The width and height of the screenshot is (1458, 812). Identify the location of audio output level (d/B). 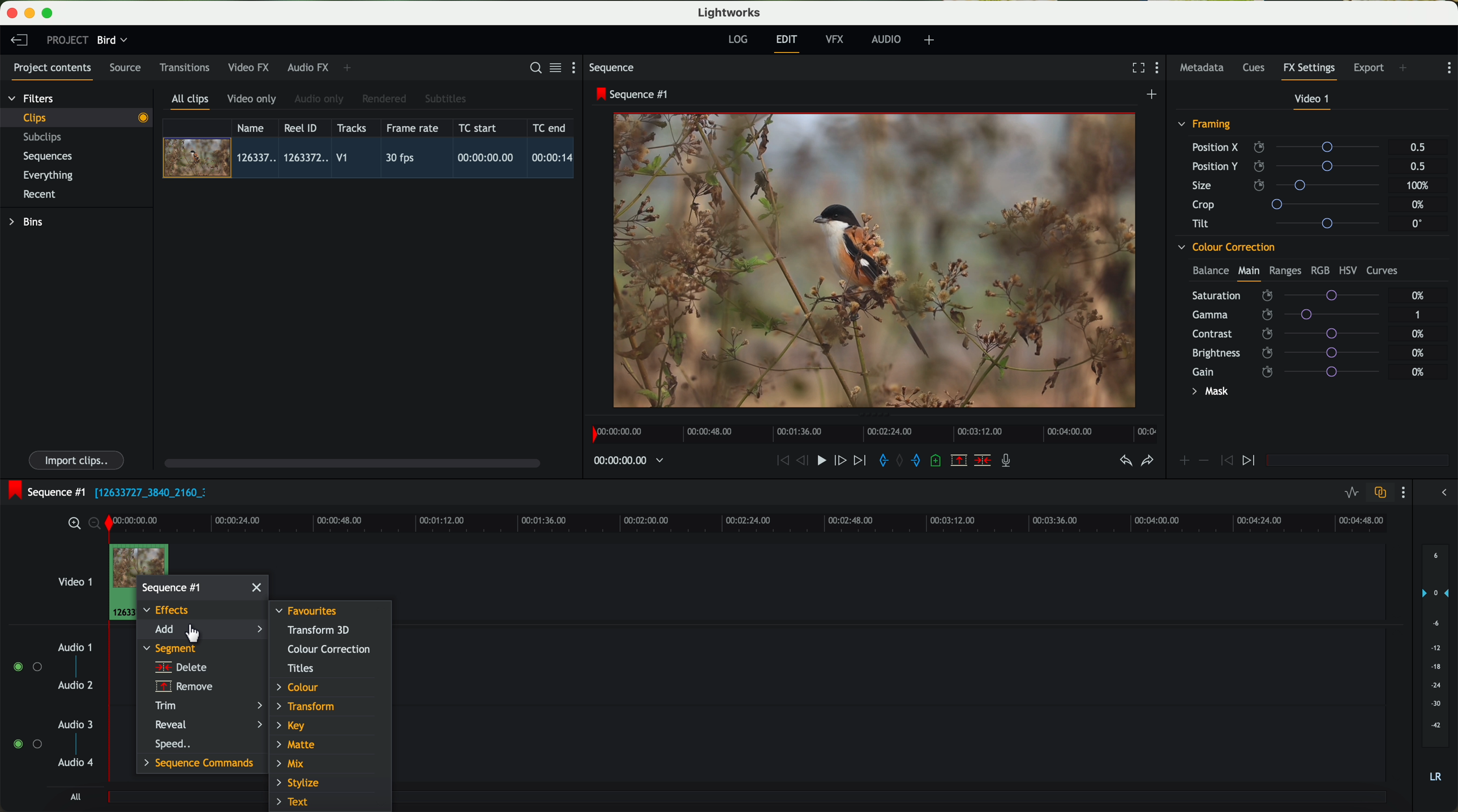
(1436, 667).